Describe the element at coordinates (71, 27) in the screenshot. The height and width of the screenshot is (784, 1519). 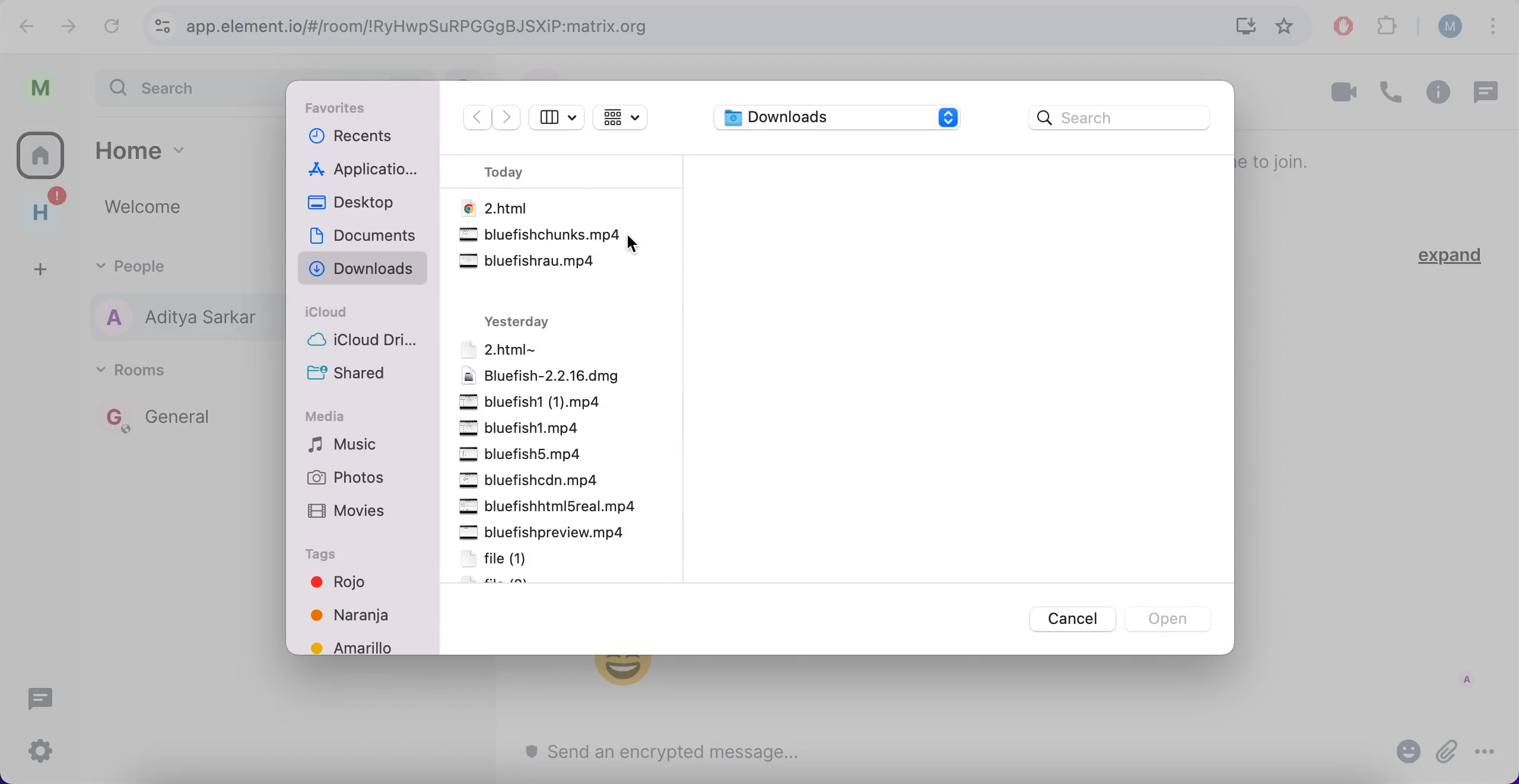
I see `redo` at that location.